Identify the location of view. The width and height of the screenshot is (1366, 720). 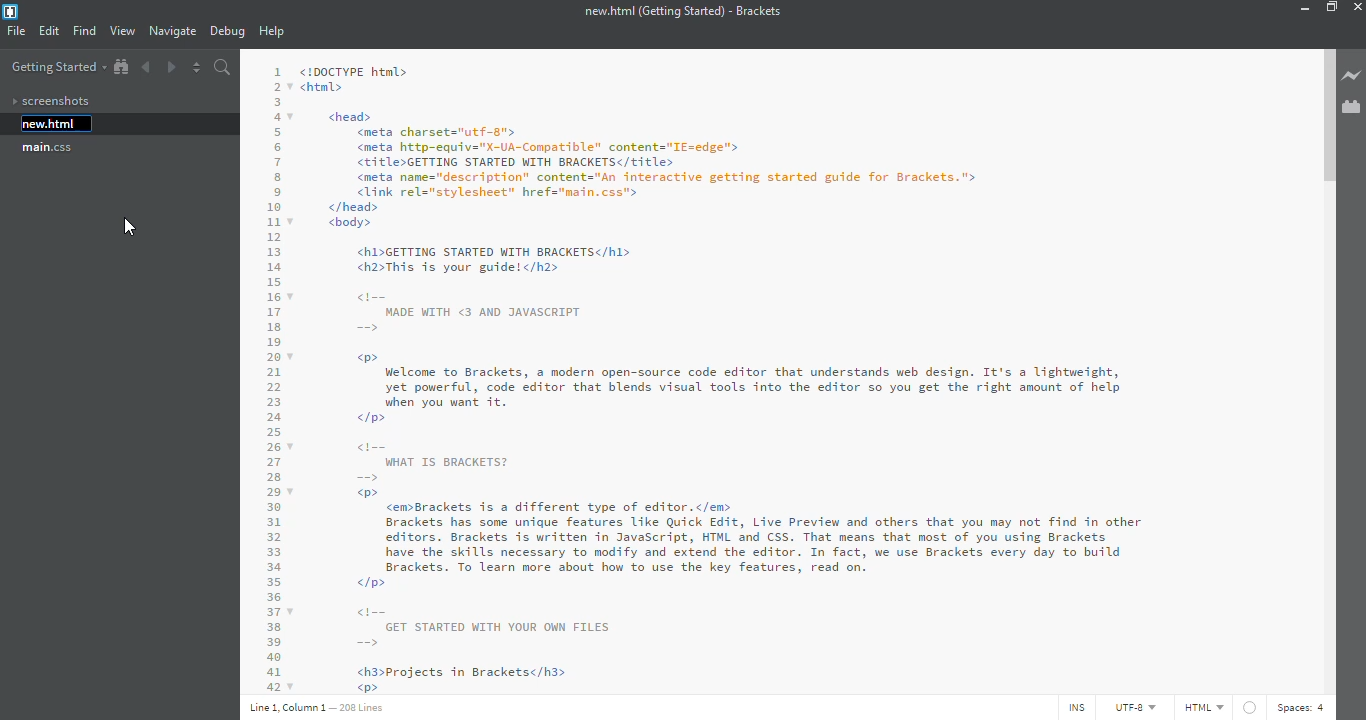
(122, 31).